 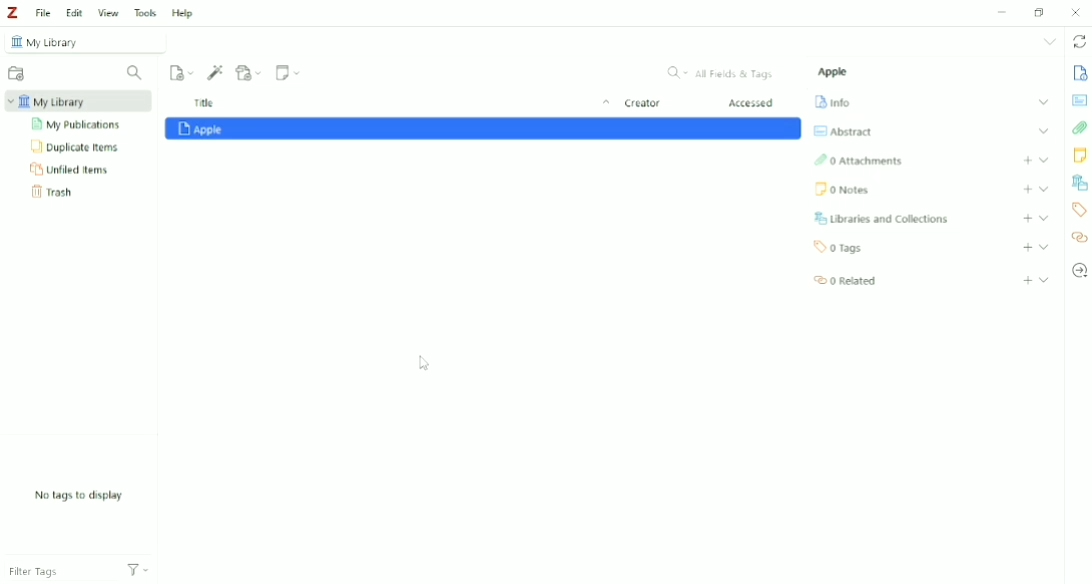 I want to click on Related, so click(x=1080, y=237).